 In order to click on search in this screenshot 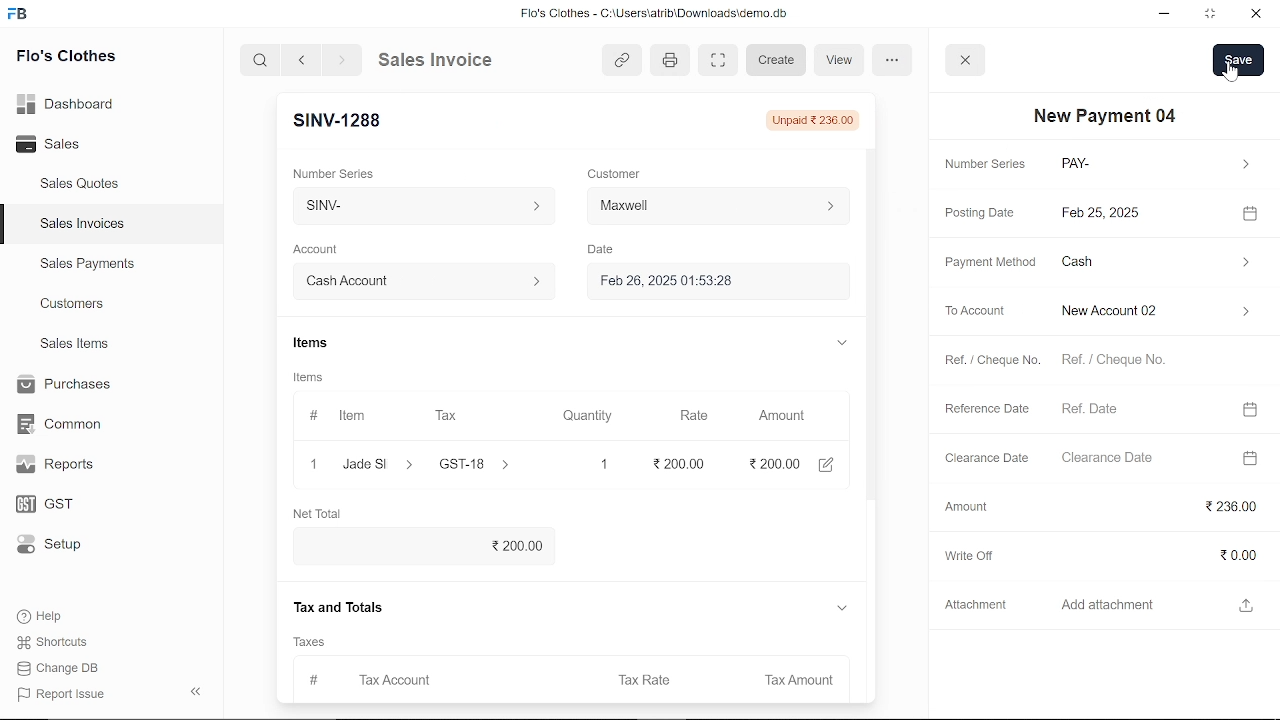, I will do `click(262, 59)`.